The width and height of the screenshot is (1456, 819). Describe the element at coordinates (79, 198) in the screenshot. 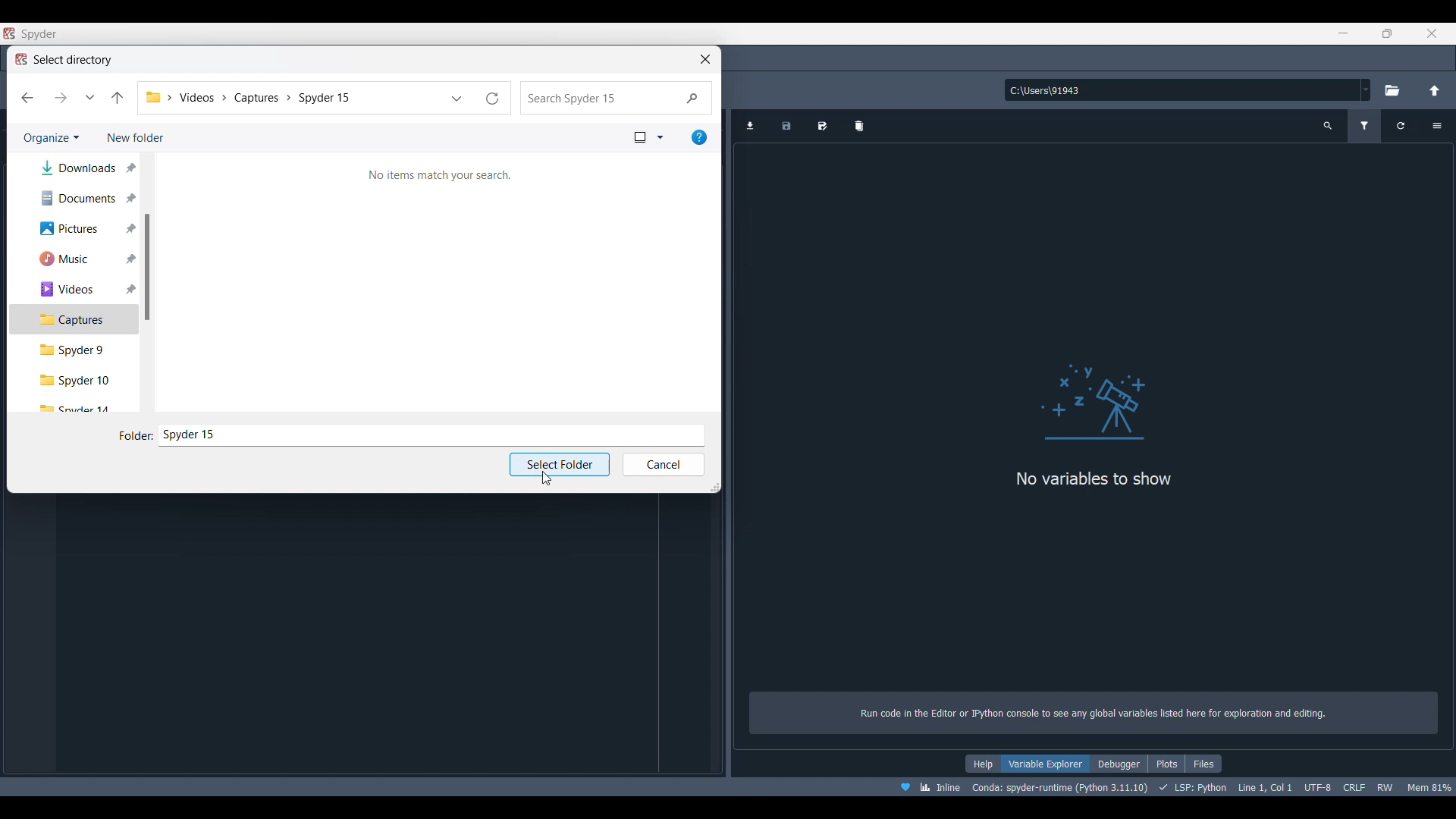

I see `Documents` at that location.